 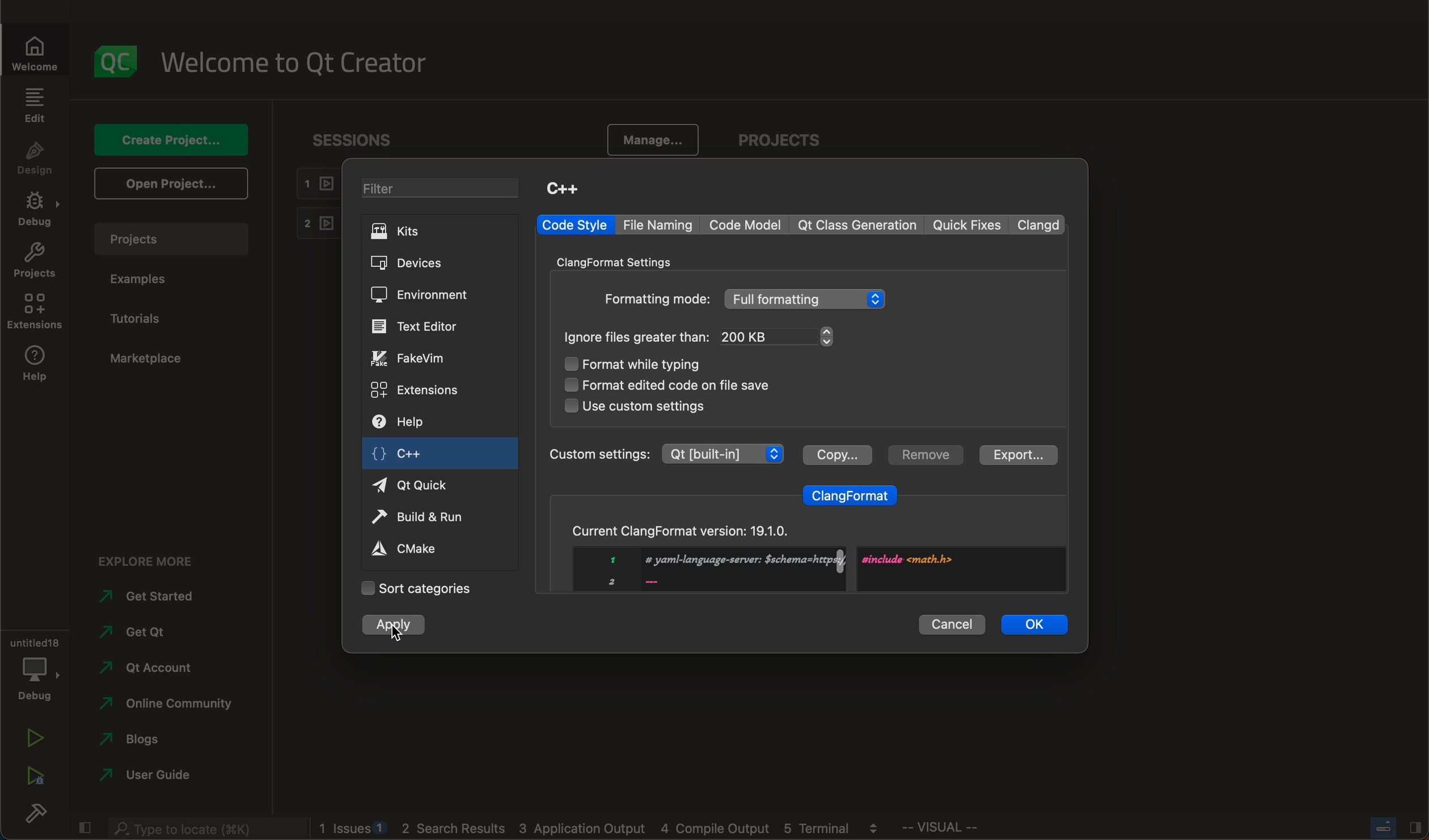 What do you see at coordinates (413, 423) in the screenshot?
I see `help` at bounding box center [413, 423].